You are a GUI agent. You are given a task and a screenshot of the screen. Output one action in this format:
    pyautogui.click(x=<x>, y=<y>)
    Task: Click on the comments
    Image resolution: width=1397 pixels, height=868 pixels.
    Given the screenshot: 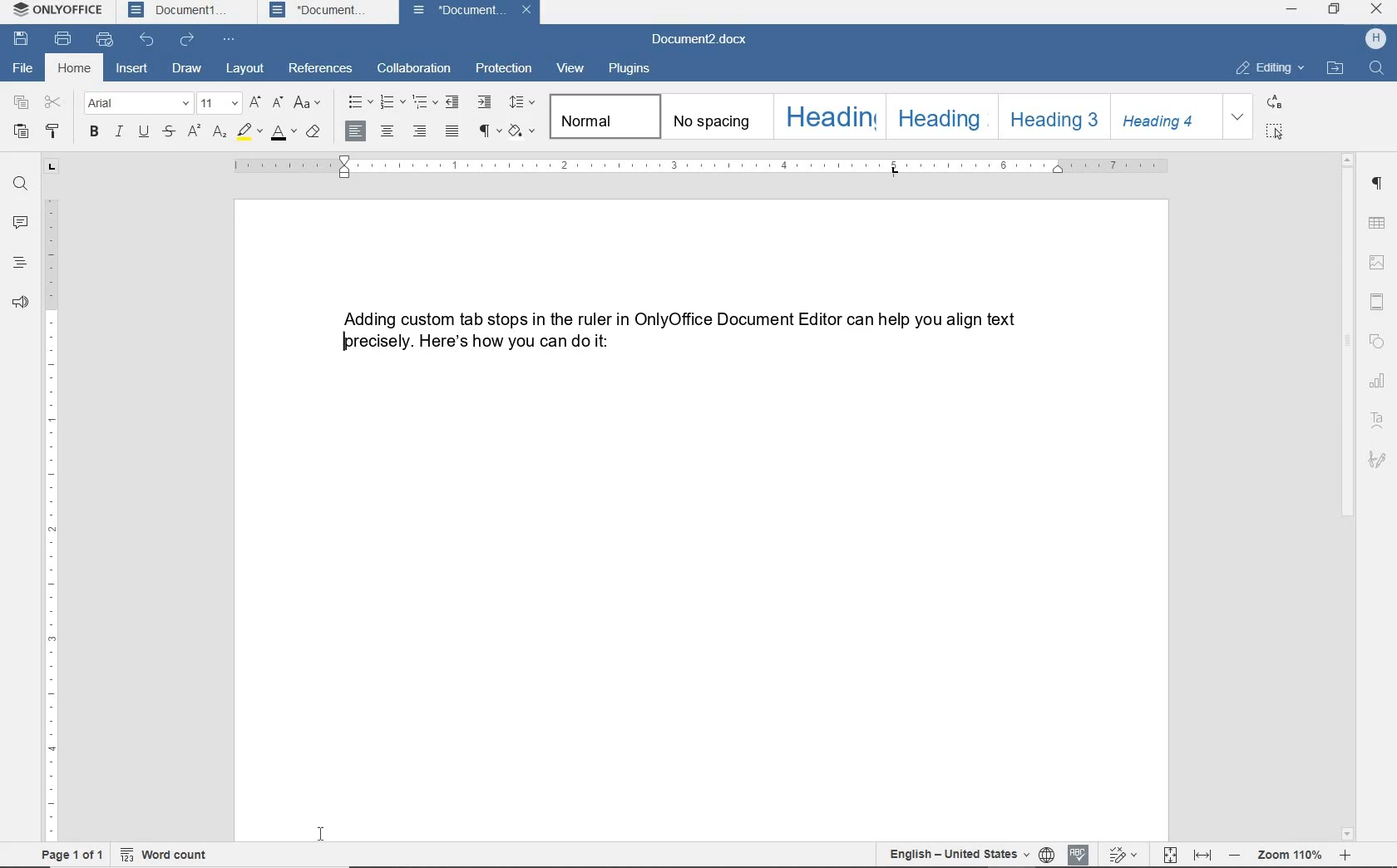 What is the action you would take?
    pyautogui.click(x=18, y=223)
    